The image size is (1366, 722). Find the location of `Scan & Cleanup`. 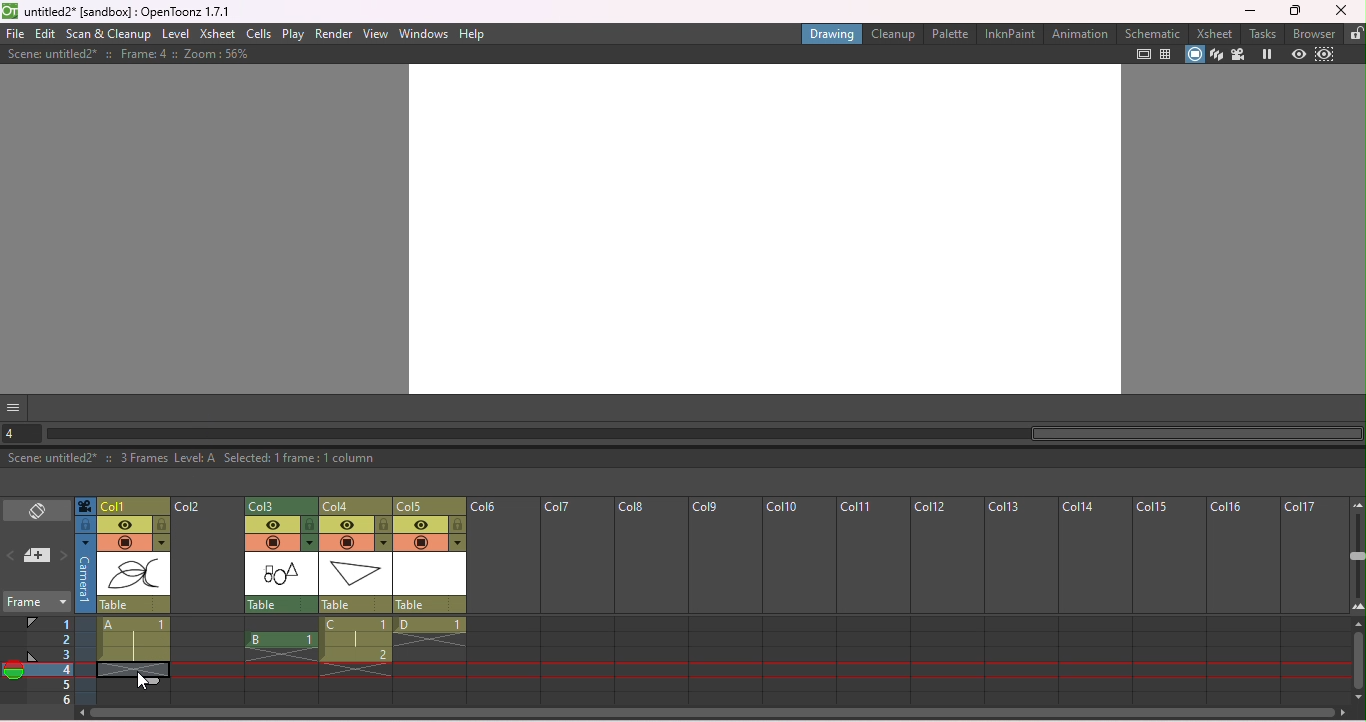

Scan & Cleanup is located at coordinates (110, 34).